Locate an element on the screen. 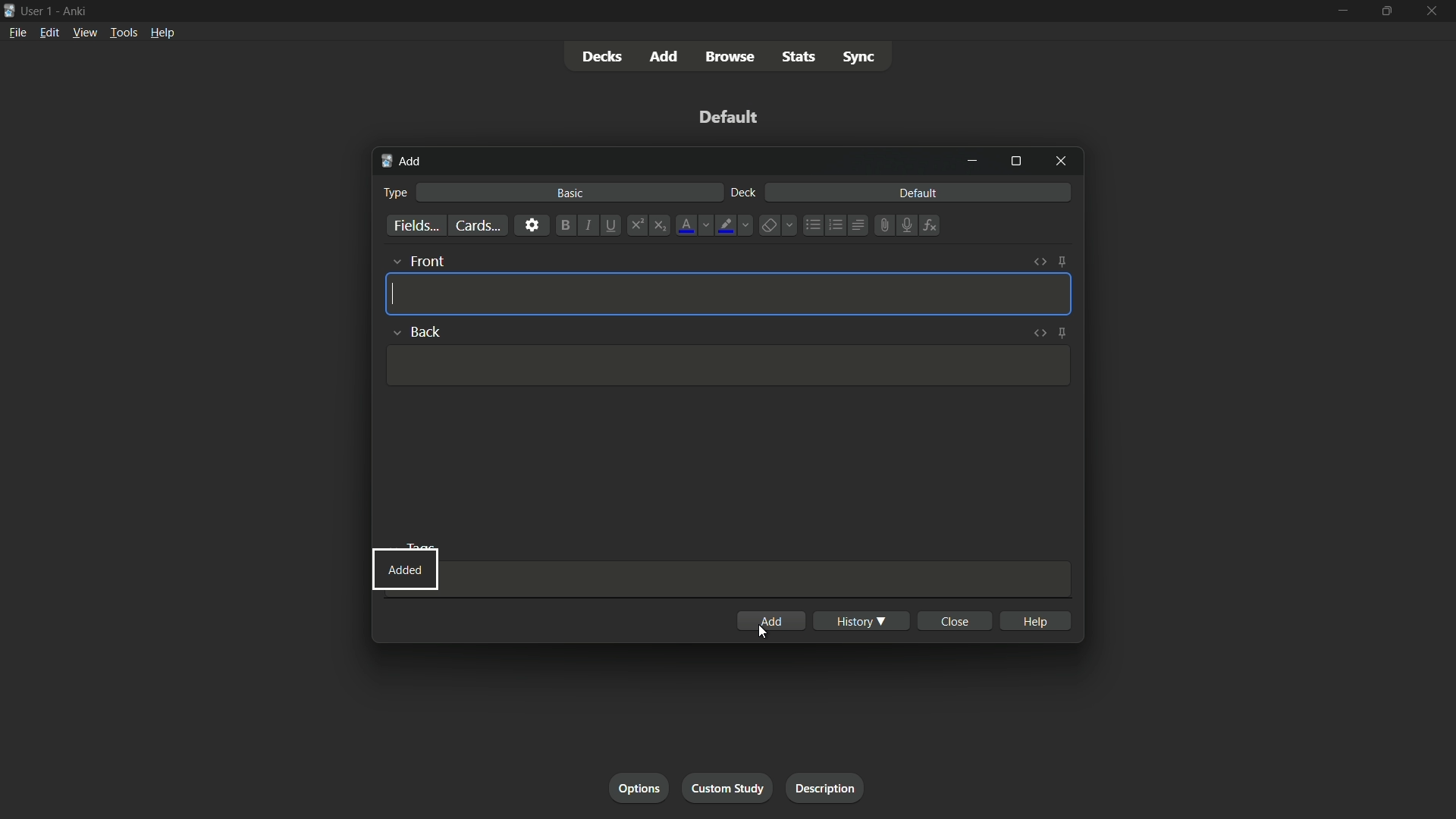 The image size is (1456, 819). alignment is located at coordinates (858, 227).